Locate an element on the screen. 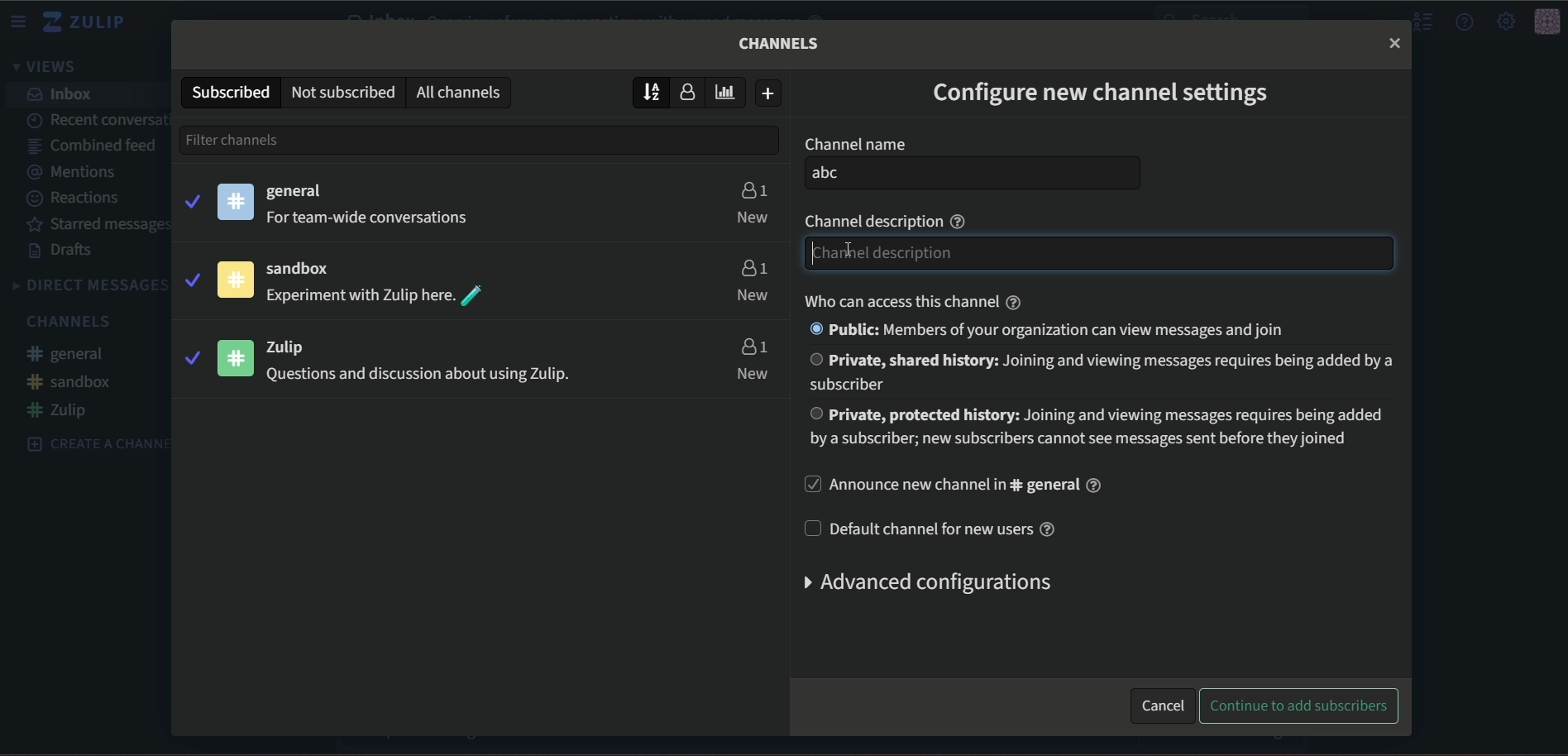  tick is located at coordinates (191, 199).